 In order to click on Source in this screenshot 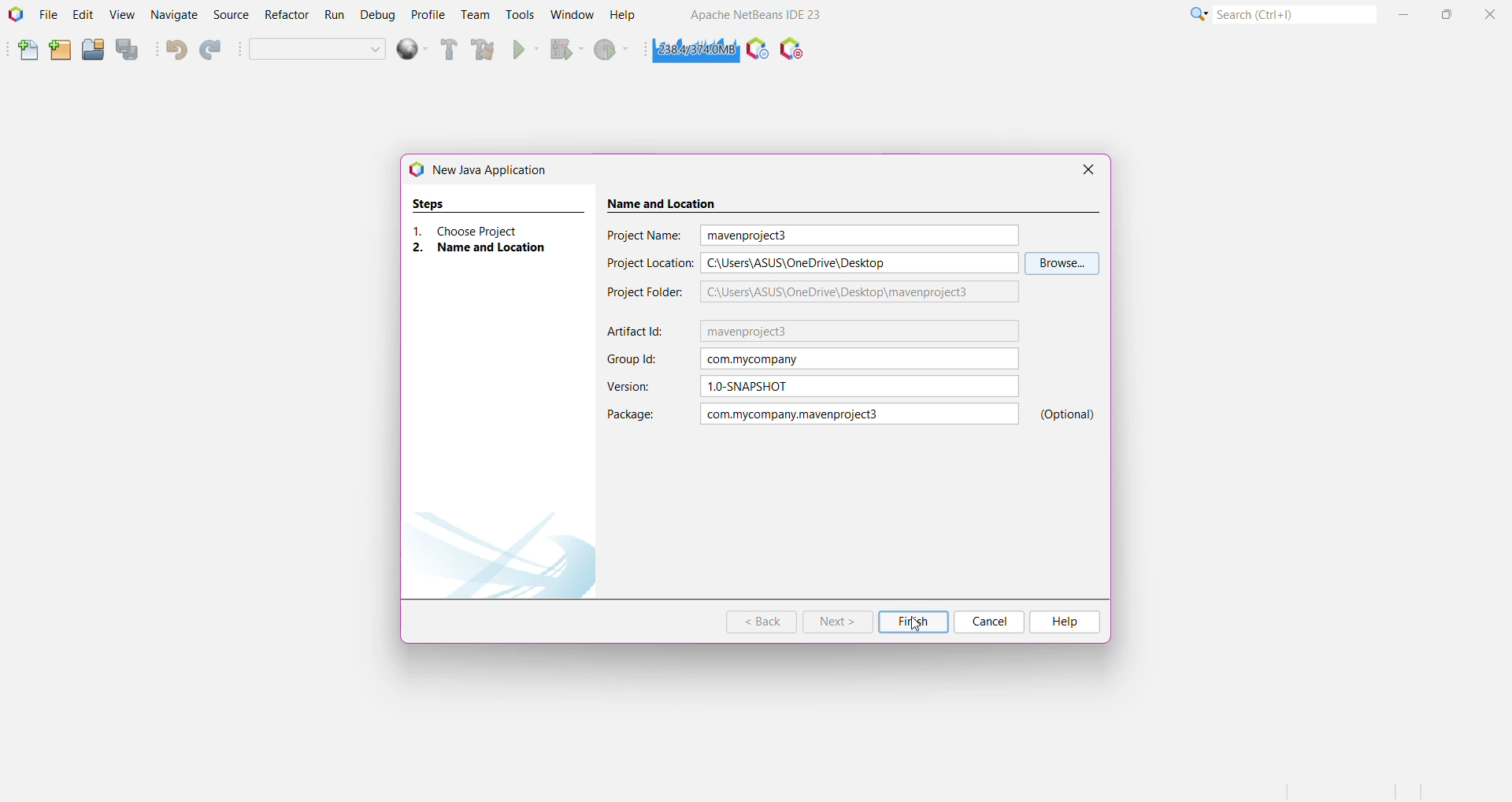, I will do `click(229, 15)`.